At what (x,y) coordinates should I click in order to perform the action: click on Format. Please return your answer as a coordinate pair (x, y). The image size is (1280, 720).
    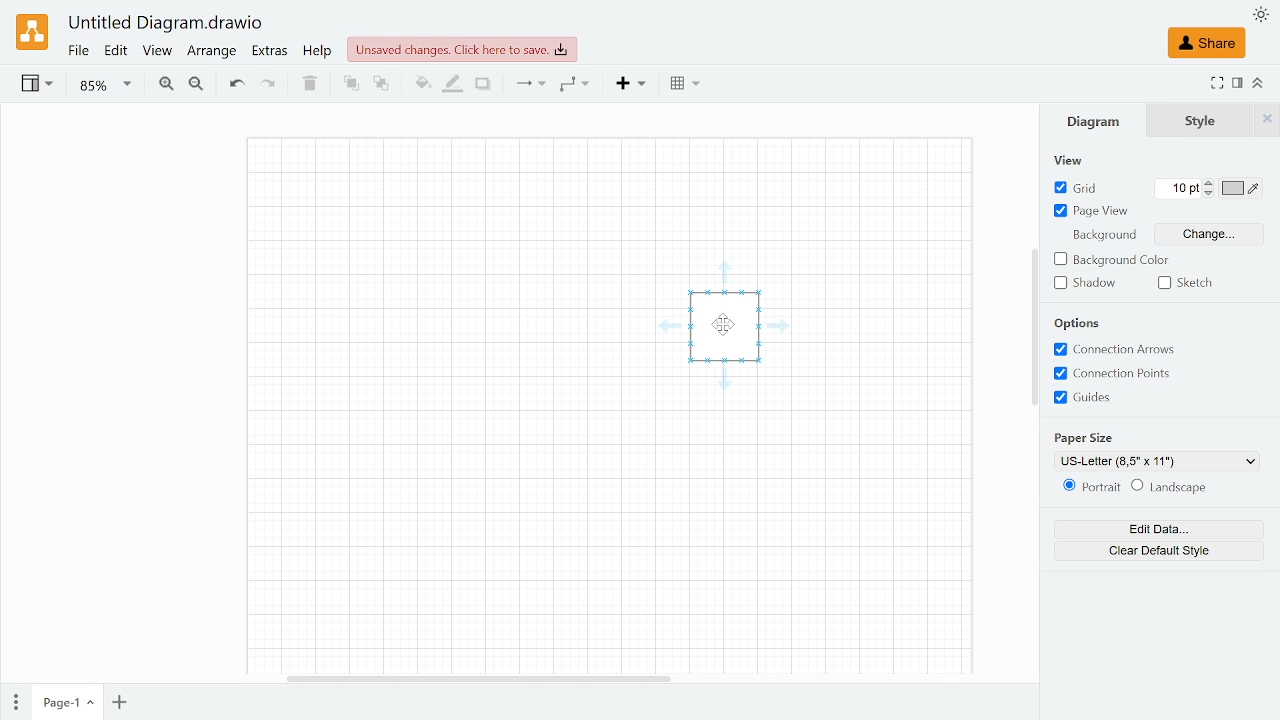
    Looking at the image, I should click on (1238, 84).